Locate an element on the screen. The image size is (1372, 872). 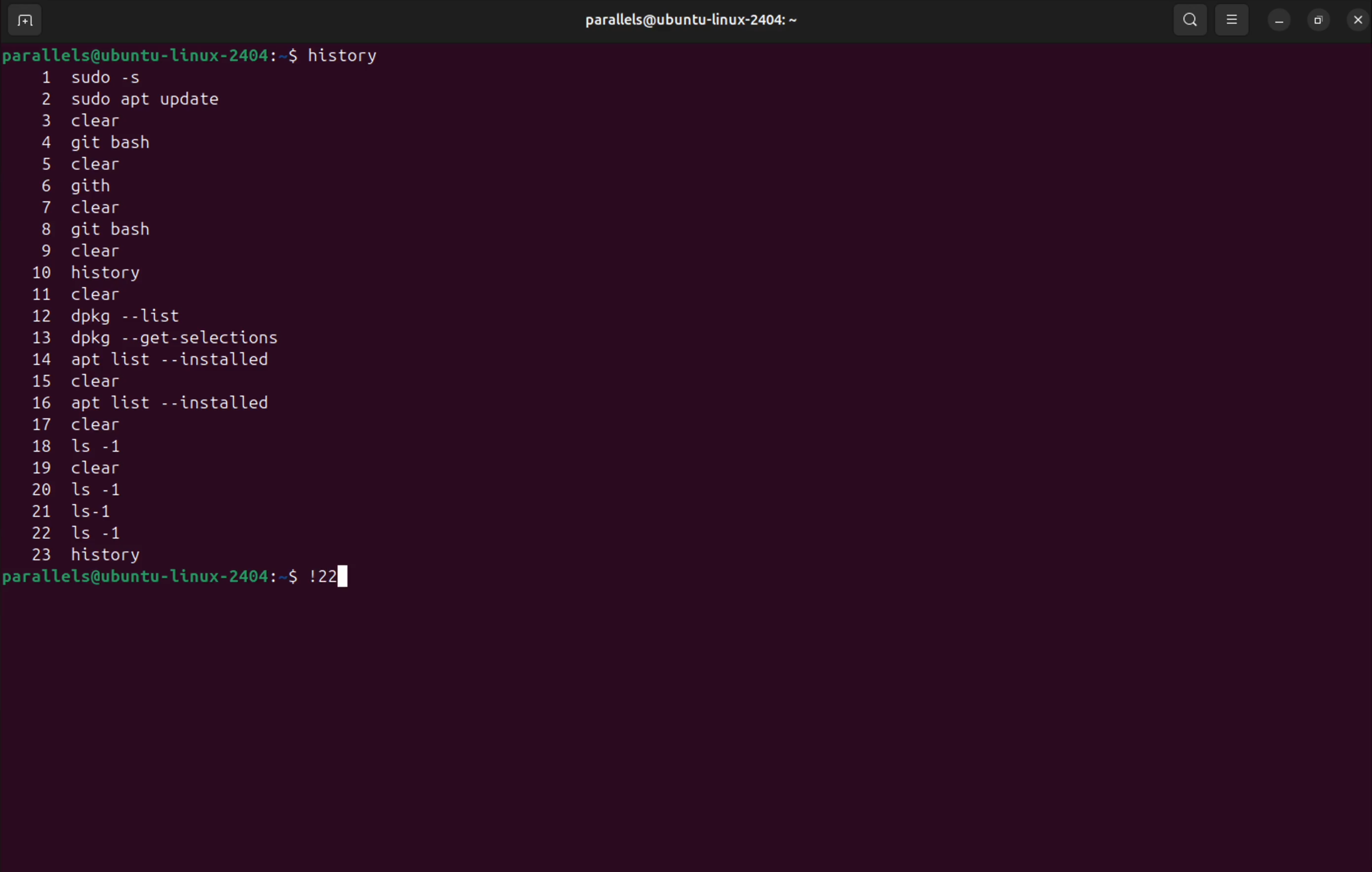
history is located at coordinates (347, 55).